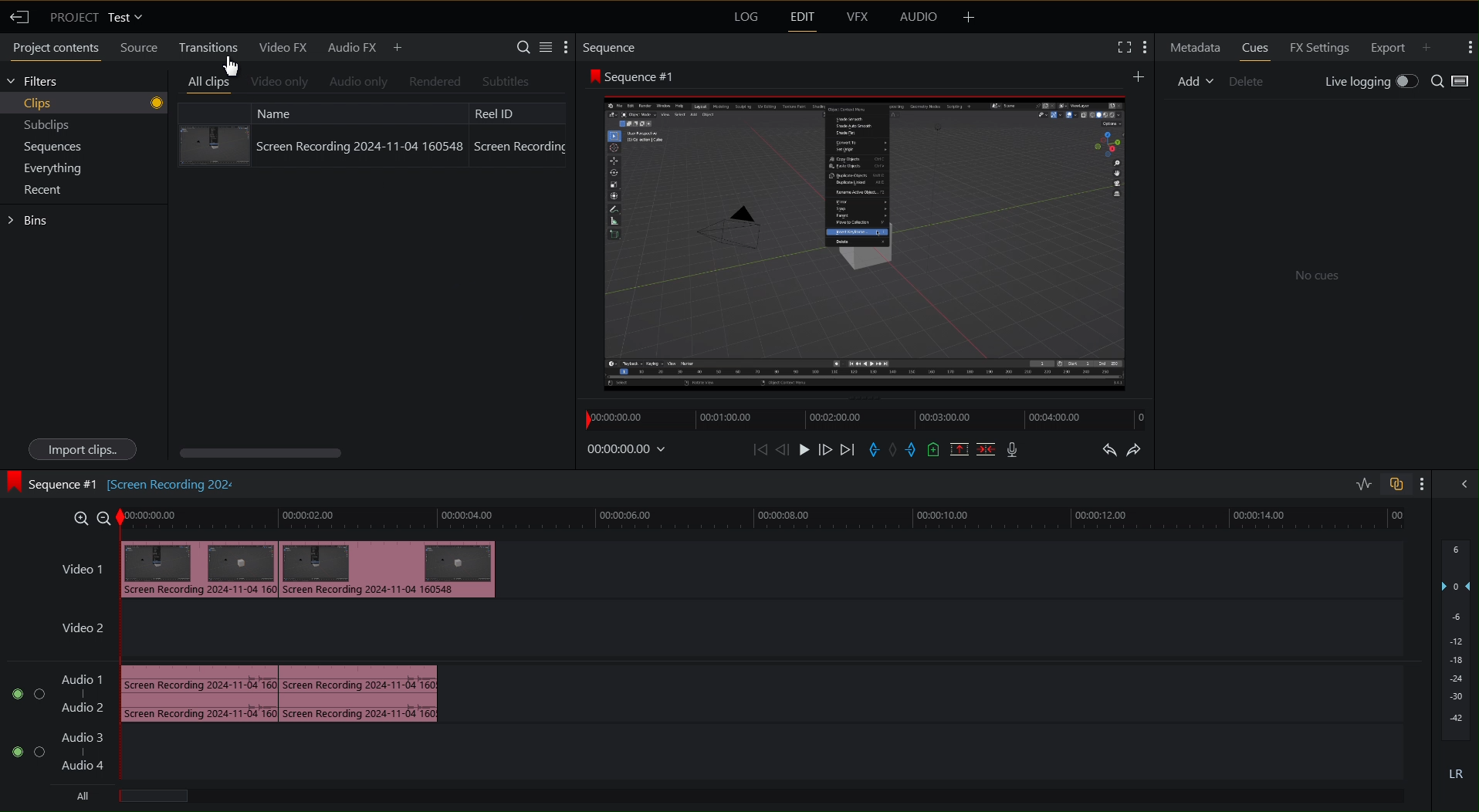 Image resolution: width=1479 pixels, height=812 pixels. Describe the element at coordinates (86, 104) in the screenshot. I see `Clips` at that location.